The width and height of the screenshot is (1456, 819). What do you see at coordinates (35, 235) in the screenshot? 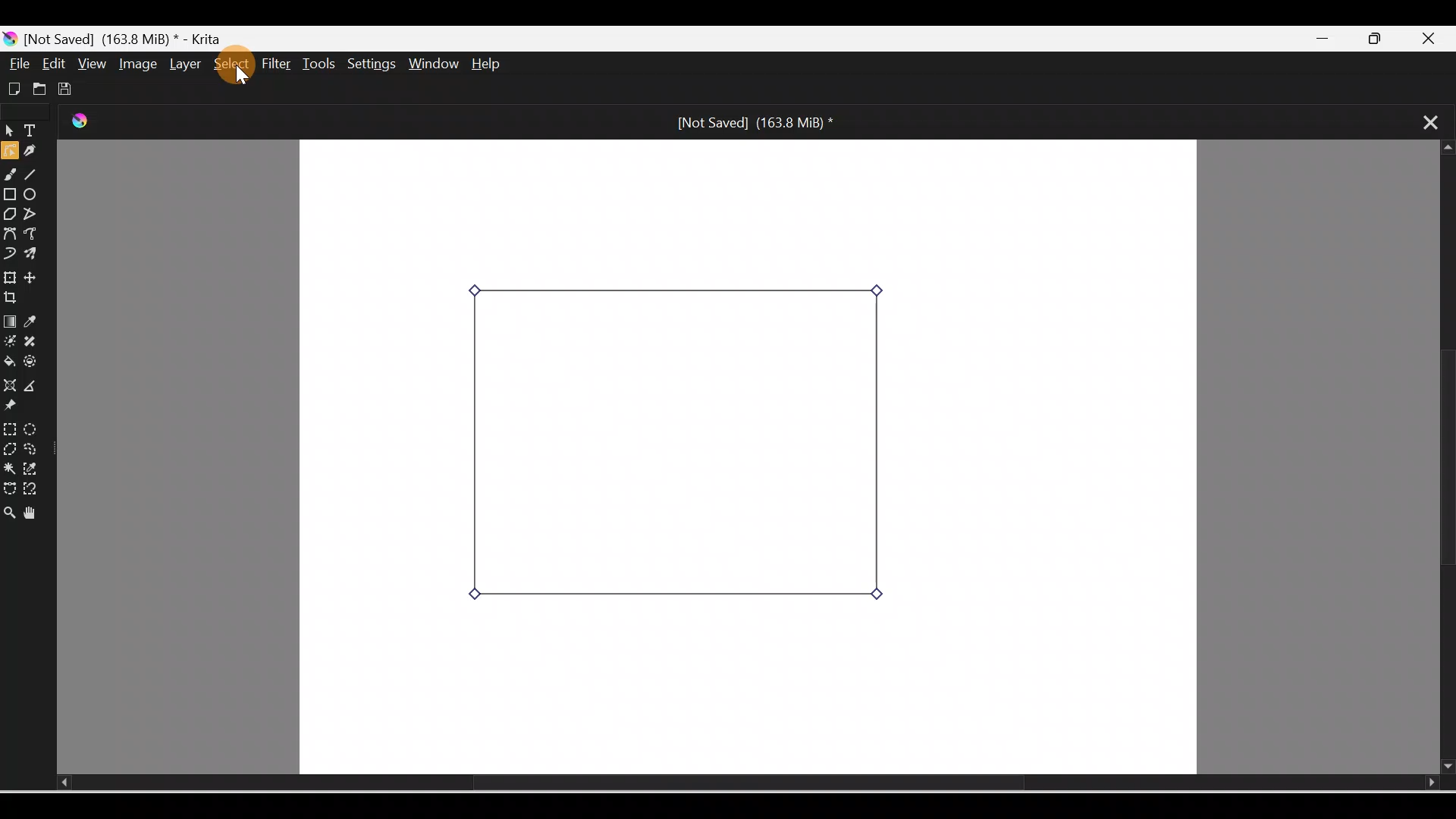
I see `Freehand path tool` at bounding box center [35, 235].